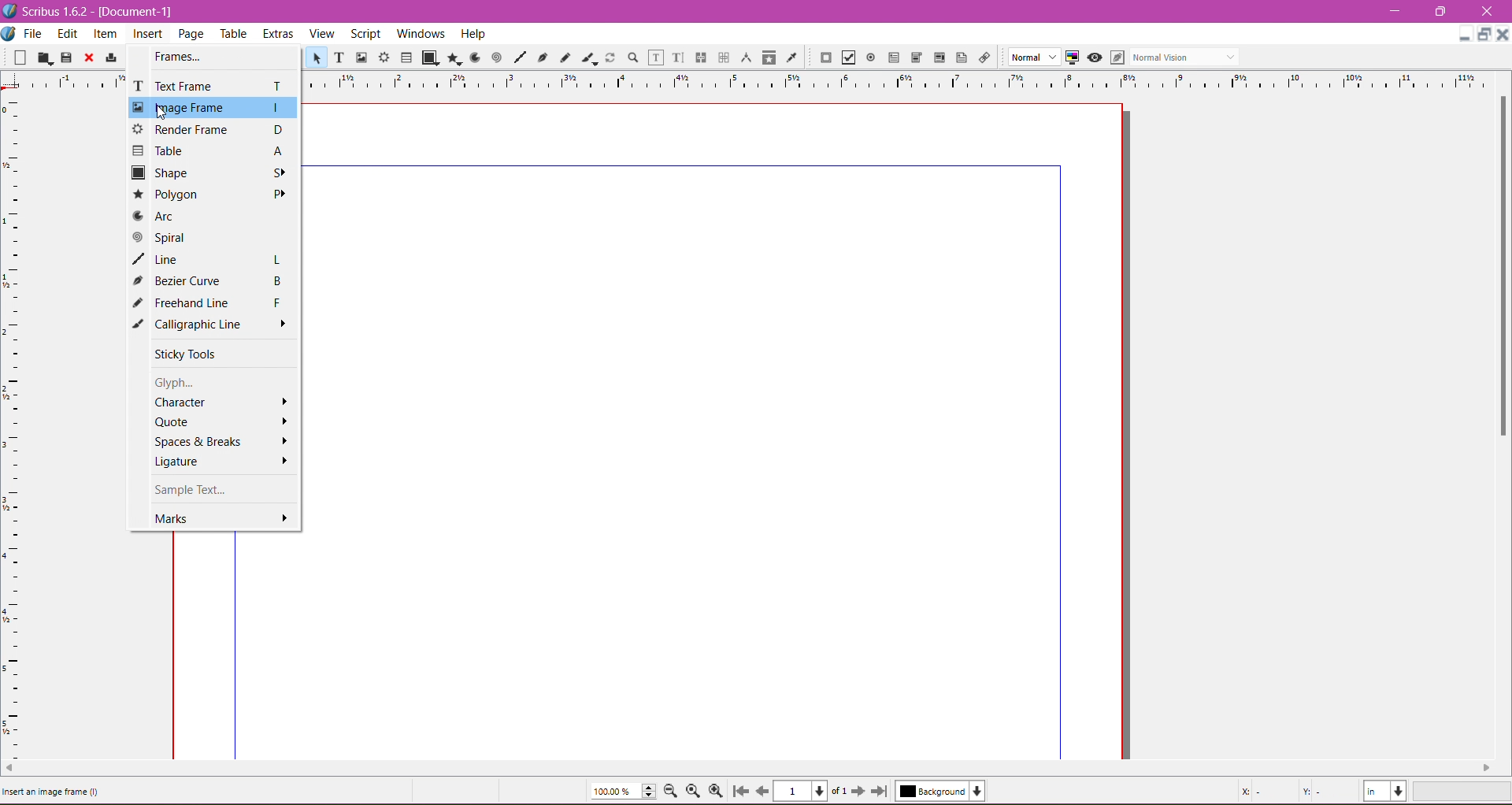 This screenshot has width=1512, height=805. I want to click on Ligature, so click(221, 463).